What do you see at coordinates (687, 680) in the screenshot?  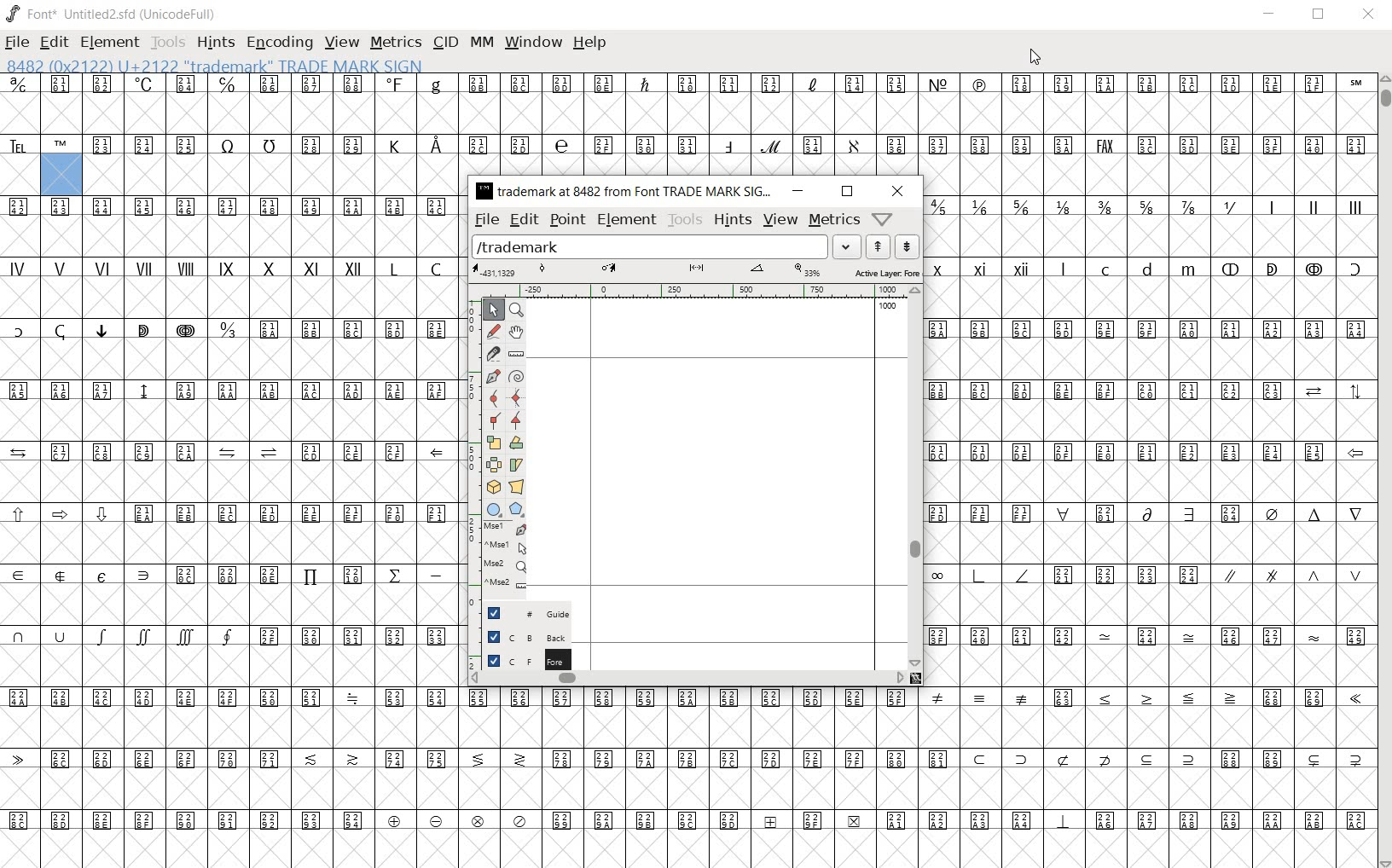 I see `scrollbar` at bounding box center [687, 680].